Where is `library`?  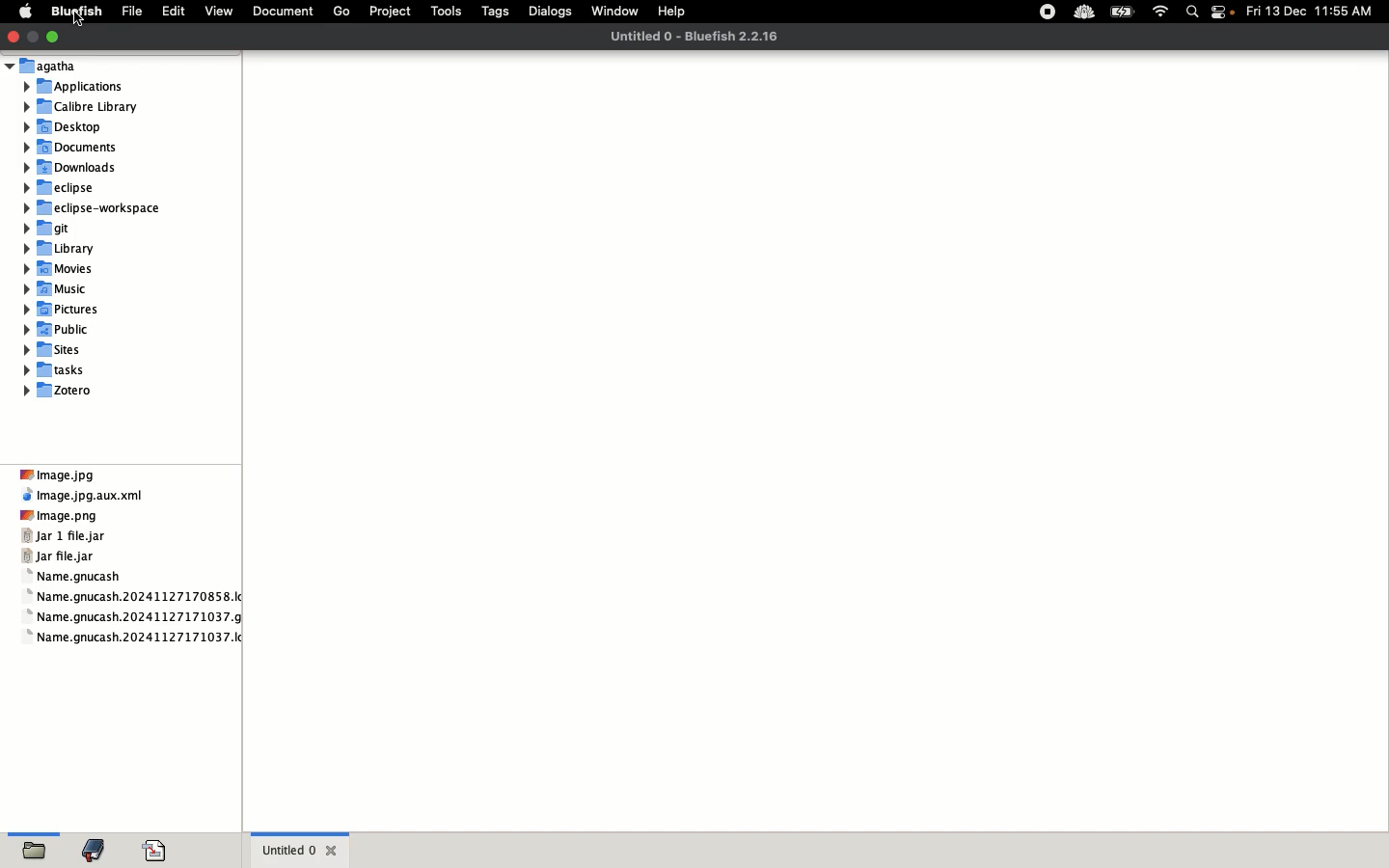 library is located at coordinates (99, 845).